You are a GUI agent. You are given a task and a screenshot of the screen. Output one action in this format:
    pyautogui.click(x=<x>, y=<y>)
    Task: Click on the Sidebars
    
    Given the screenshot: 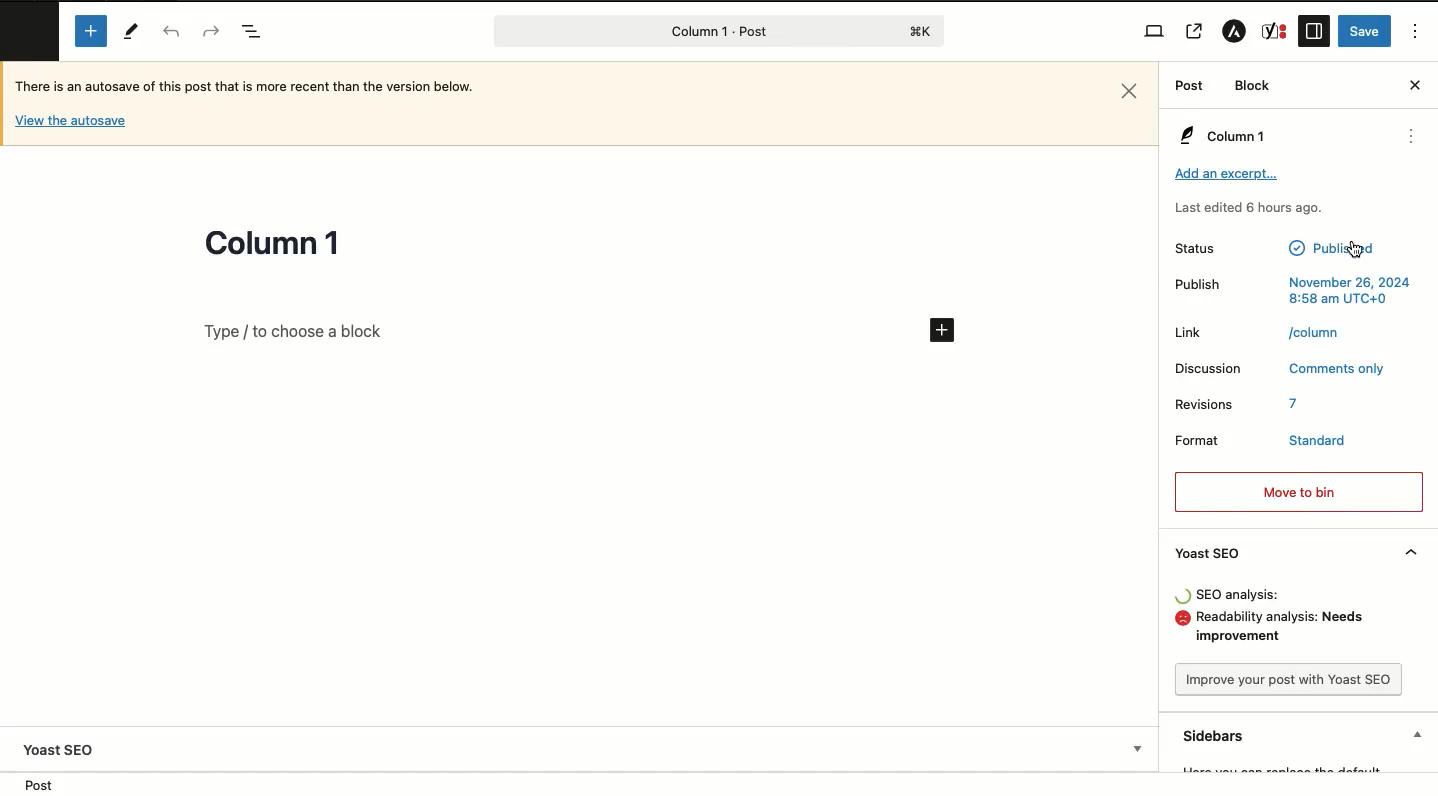 What is the action you would take?
    pyautogui.click(x=1303, y=735)
    